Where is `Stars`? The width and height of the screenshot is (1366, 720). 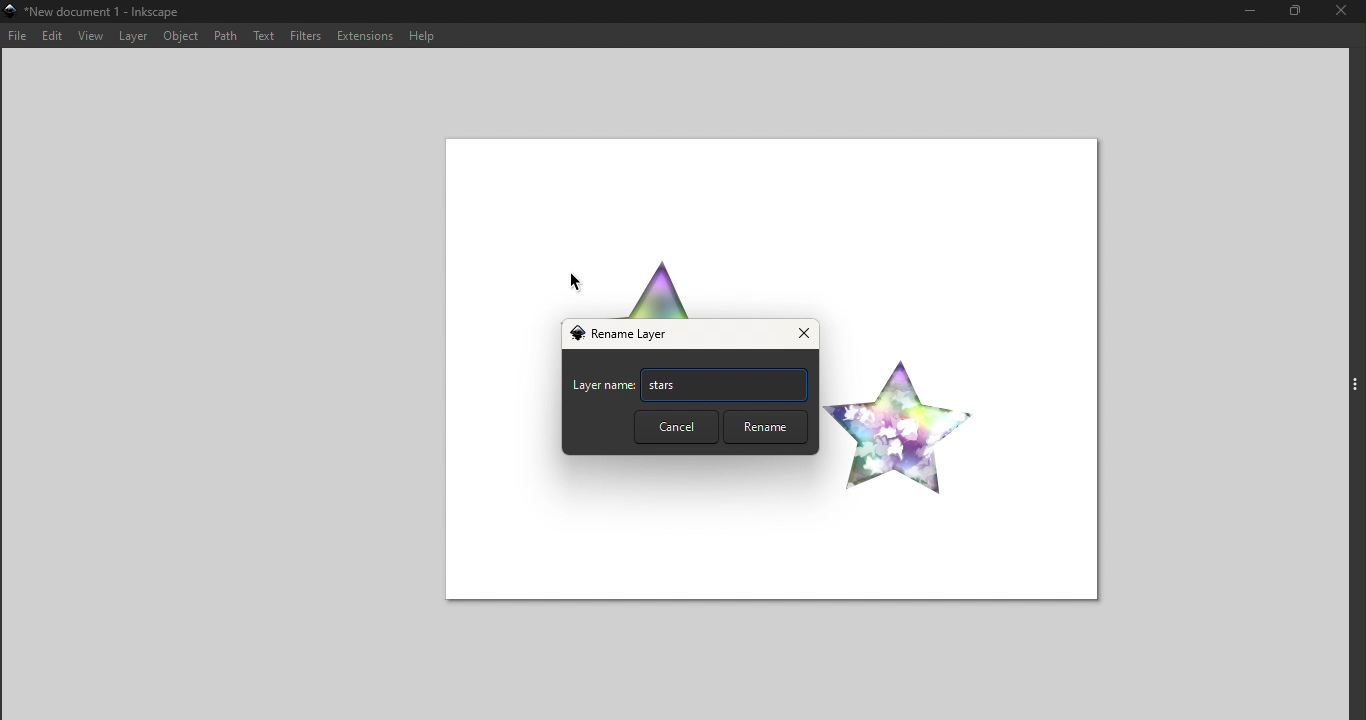 Stars is located at coordinates (724, 384).